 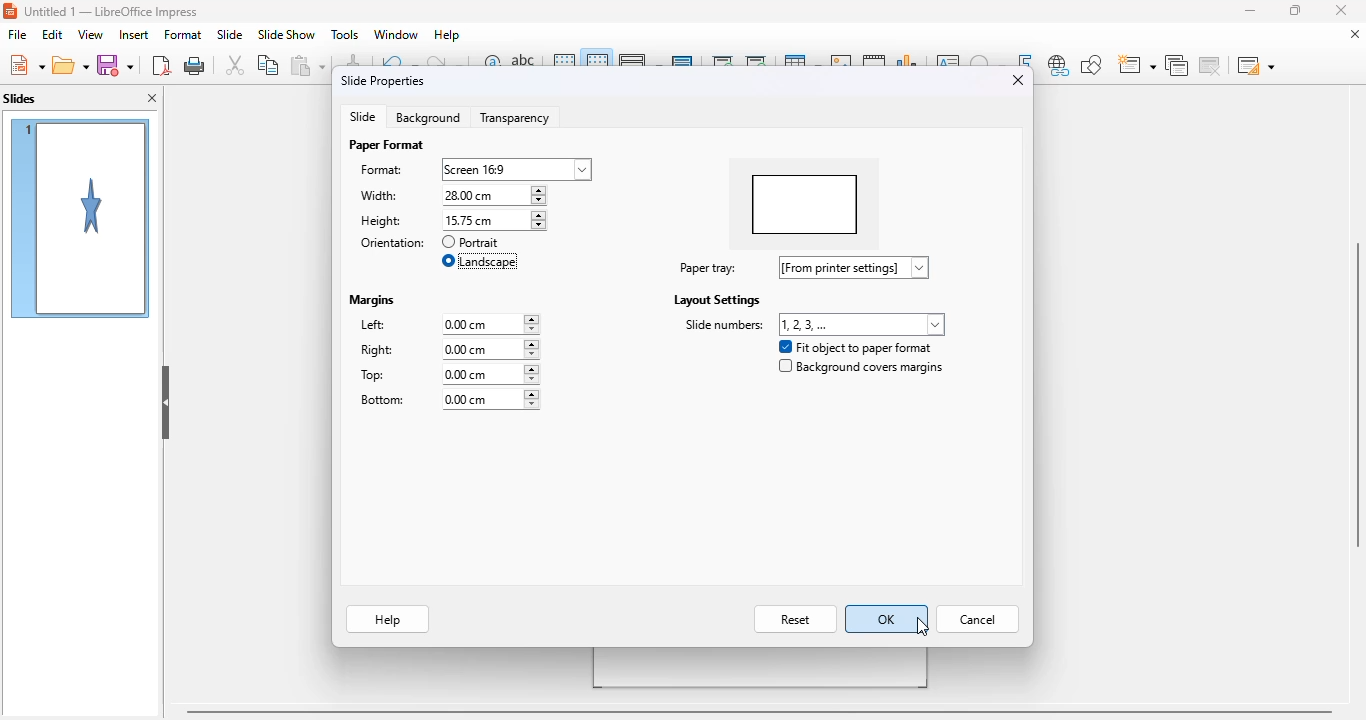 What do you see at coordinates (861, 366) in the screenshot?
I see `background covers margins` at bounding box center [861, 366].